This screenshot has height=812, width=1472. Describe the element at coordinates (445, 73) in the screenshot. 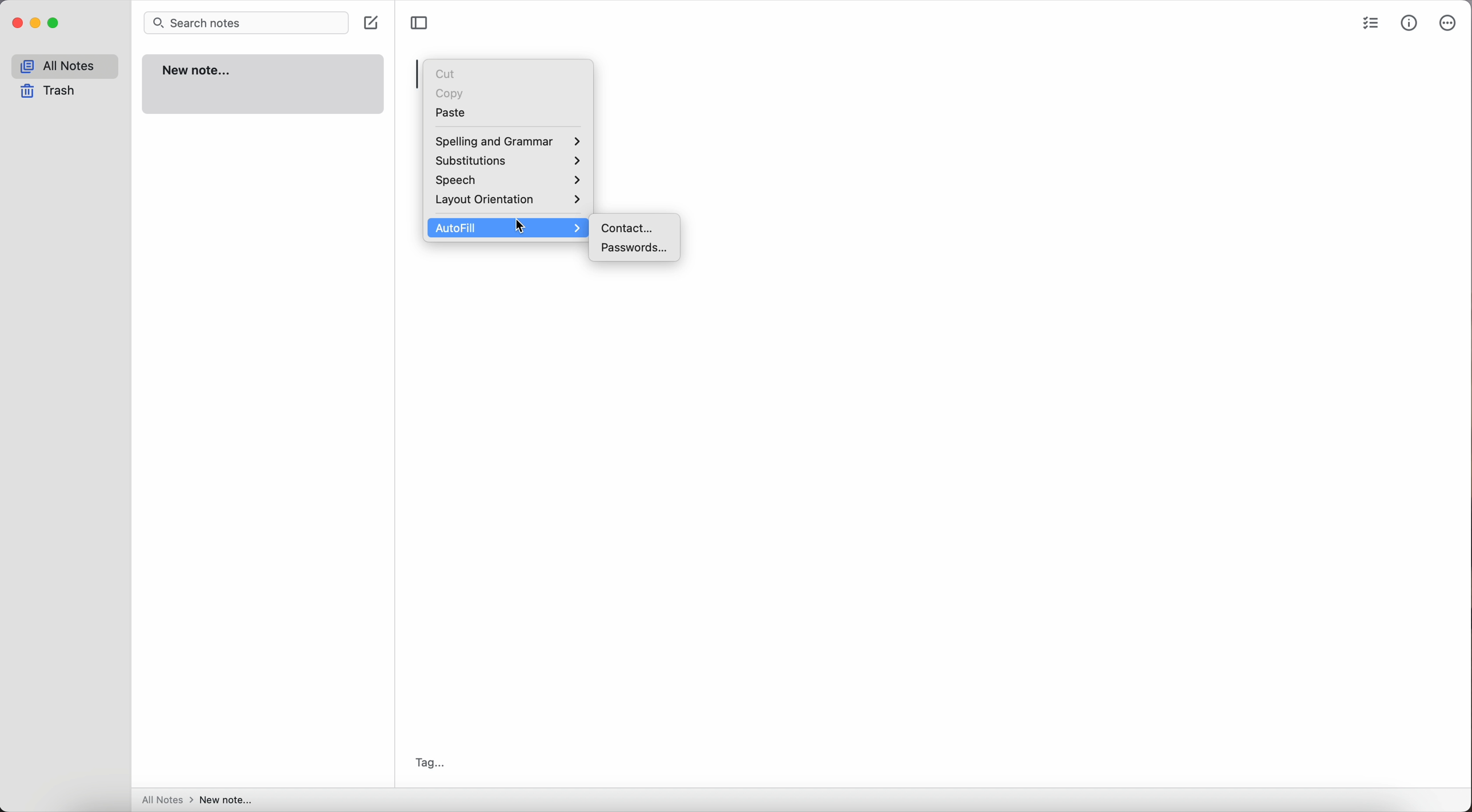

I see `cut` at that location.